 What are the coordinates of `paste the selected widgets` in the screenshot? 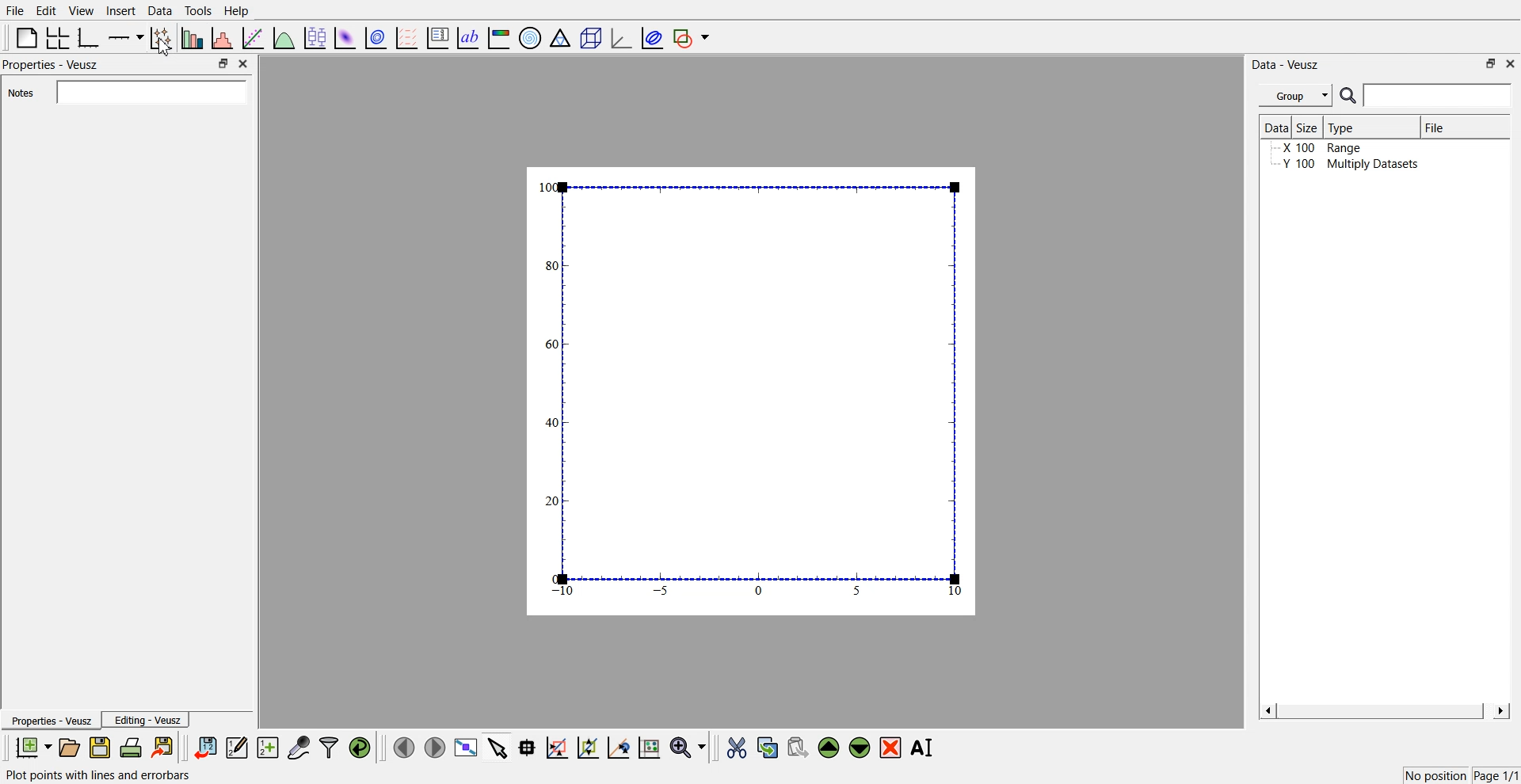 It's located at (796, 747).